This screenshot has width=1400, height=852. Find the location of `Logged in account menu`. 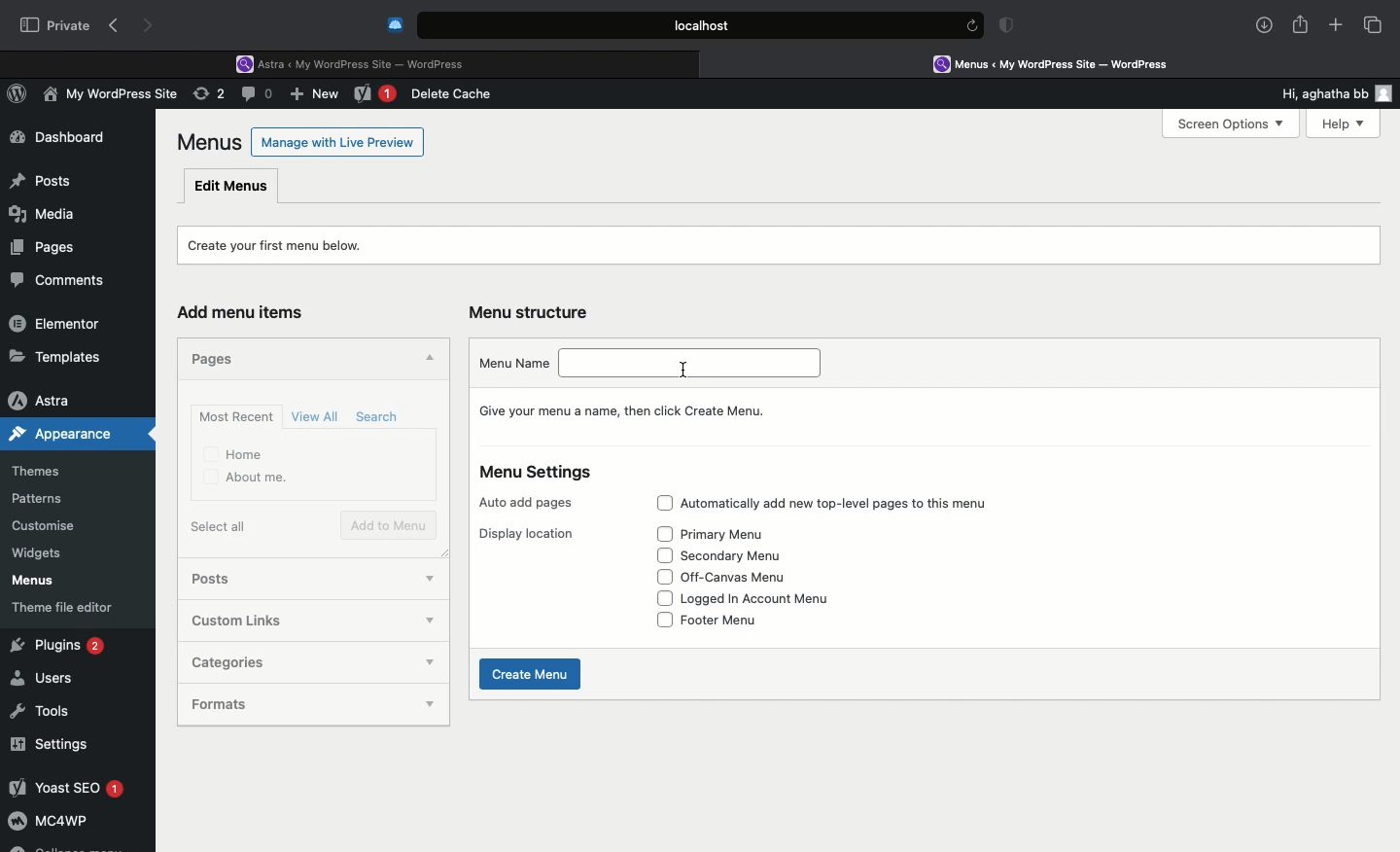

Logged in account menu is located at coordinates (773, 597).